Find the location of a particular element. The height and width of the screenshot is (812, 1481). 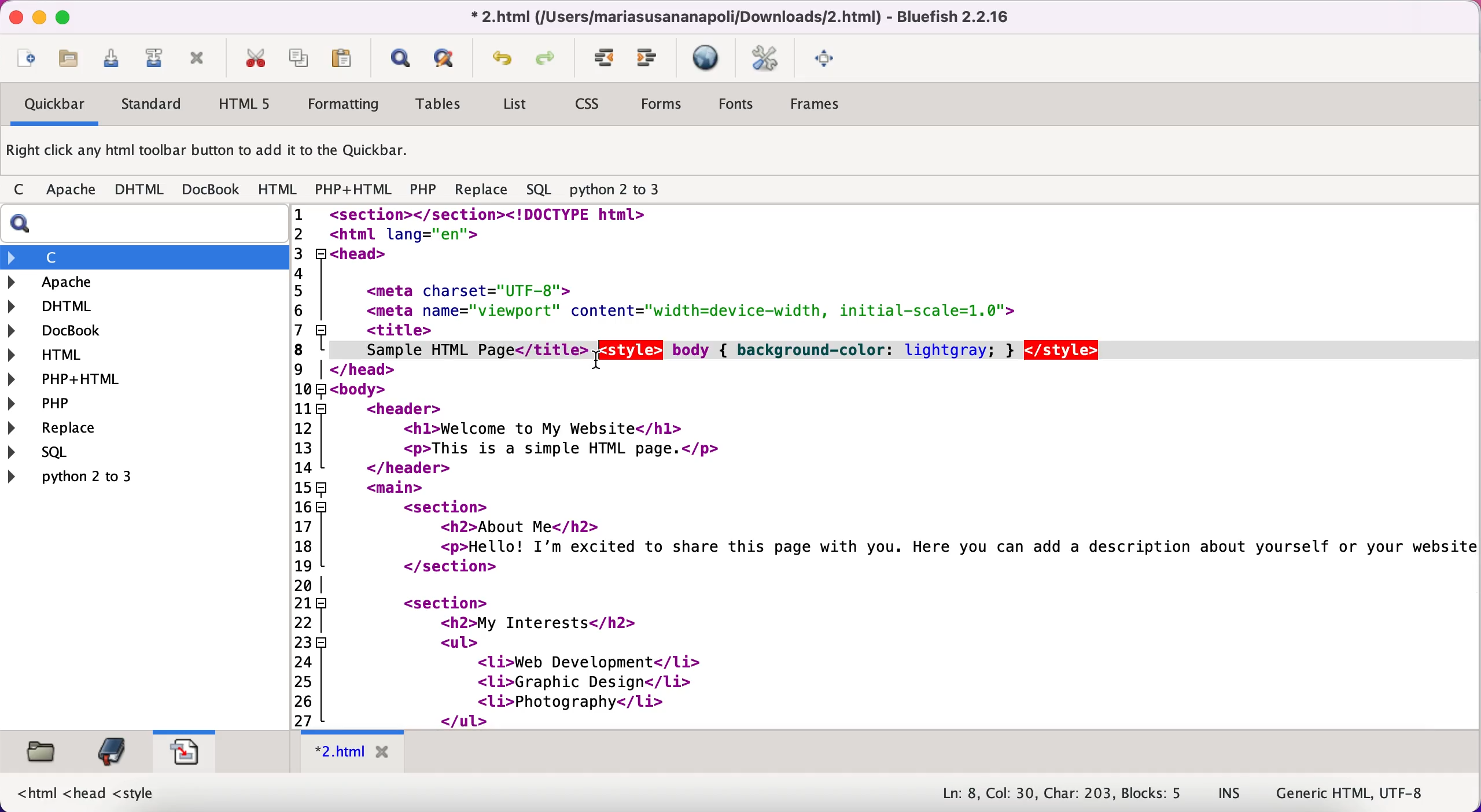

replace is located at coordinates (481, 193).